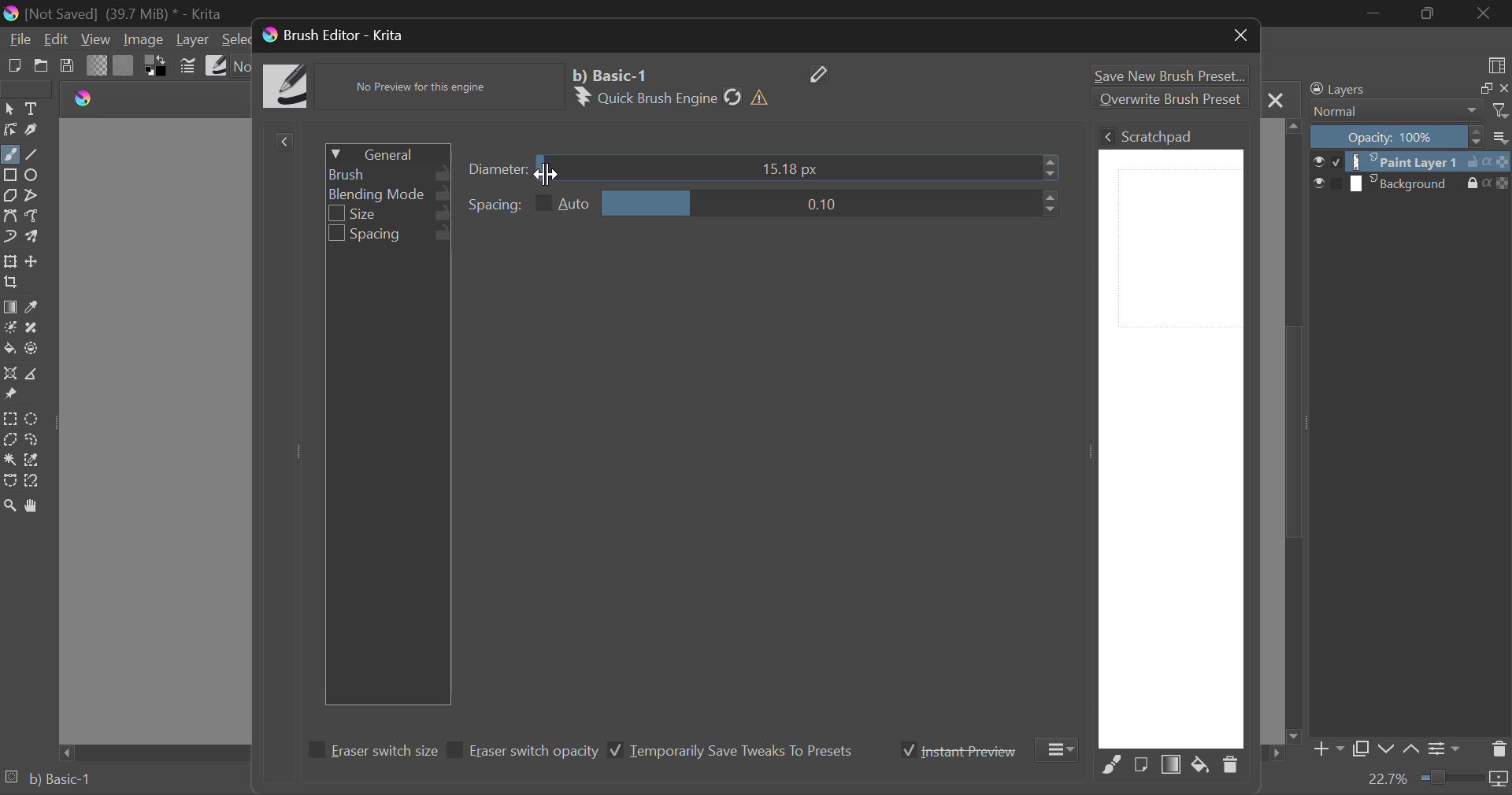  Describe the element at coordinates (613, 74) in the screenshot. I see `Selected Brush` at that location.